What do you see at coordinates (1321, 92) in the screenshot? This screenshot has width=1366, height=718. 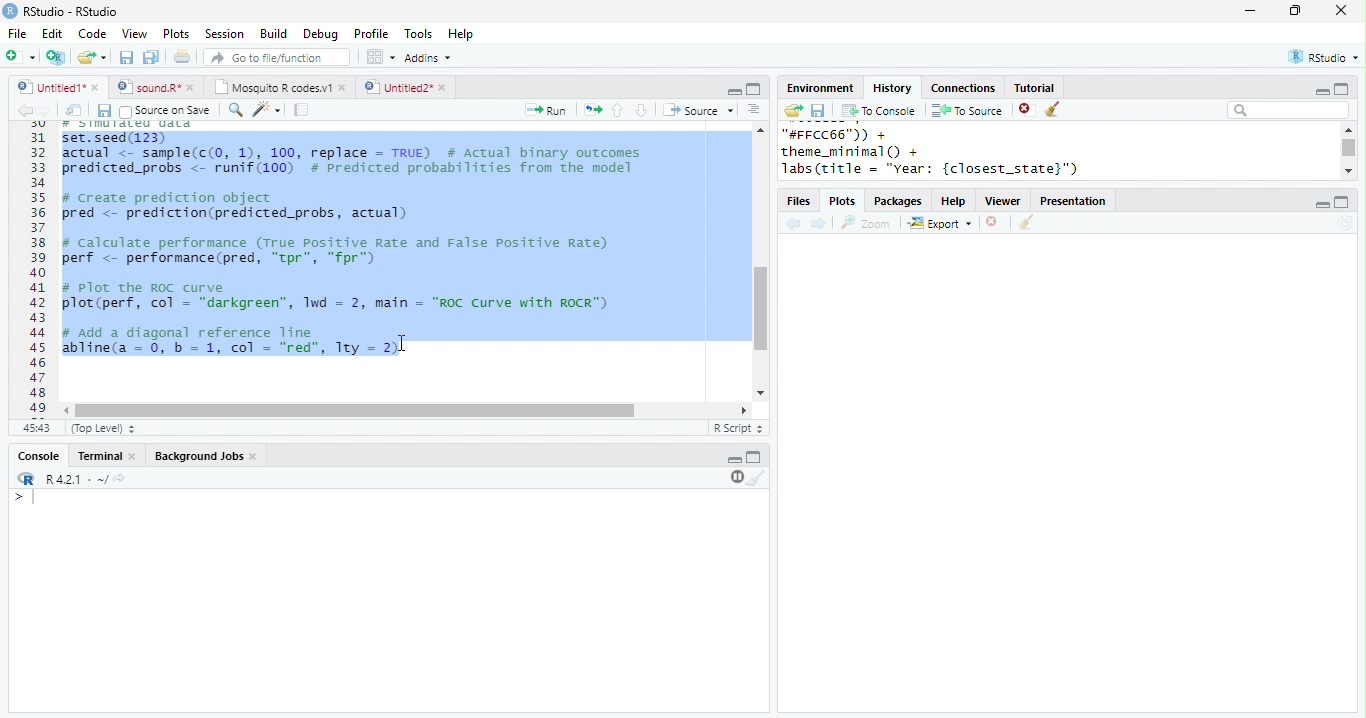 I see `minimize` at bounding box center [1321, 92].